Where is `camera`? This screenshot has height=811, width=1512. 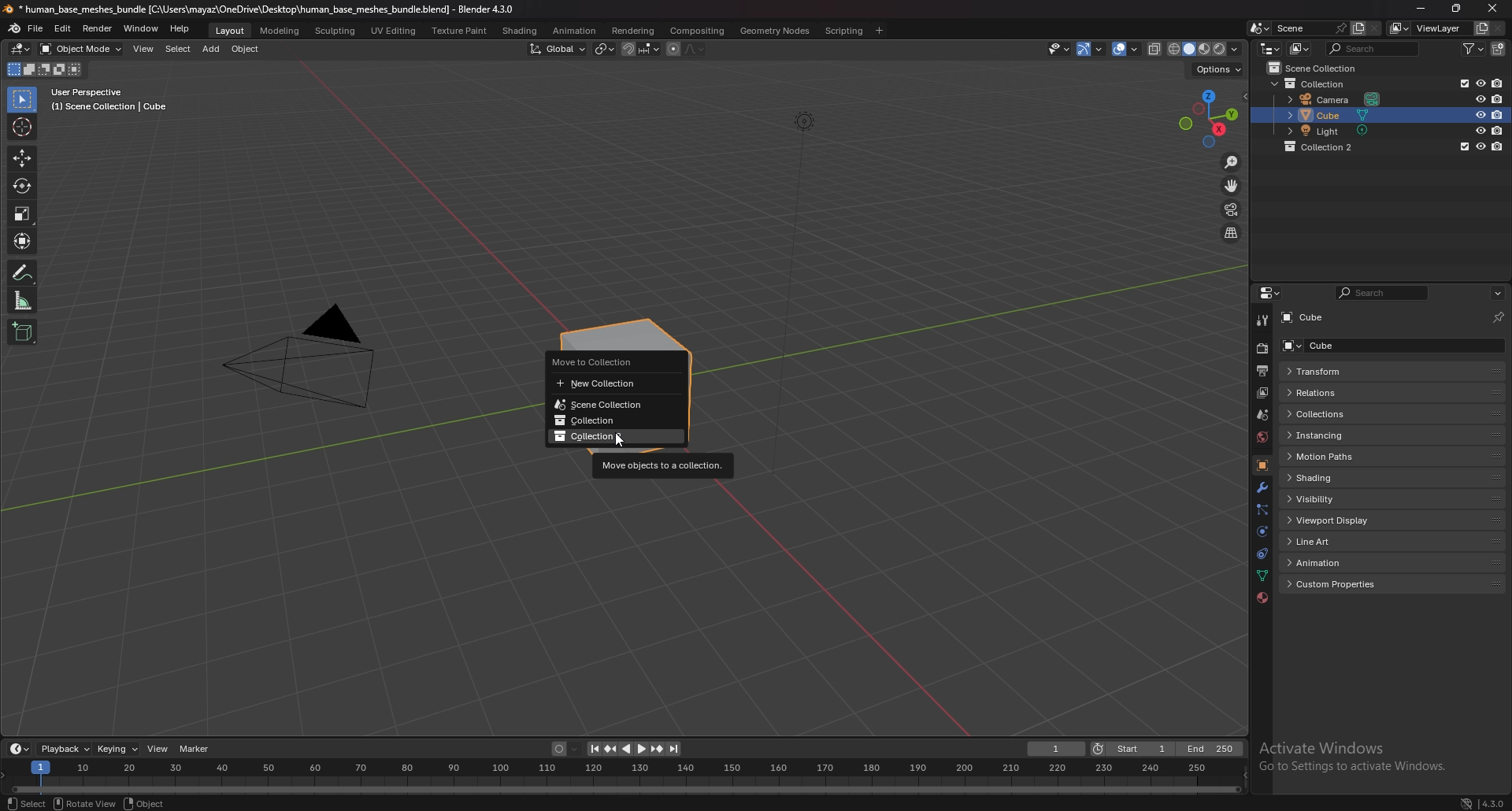 camera is located at coordinates (298, 354).